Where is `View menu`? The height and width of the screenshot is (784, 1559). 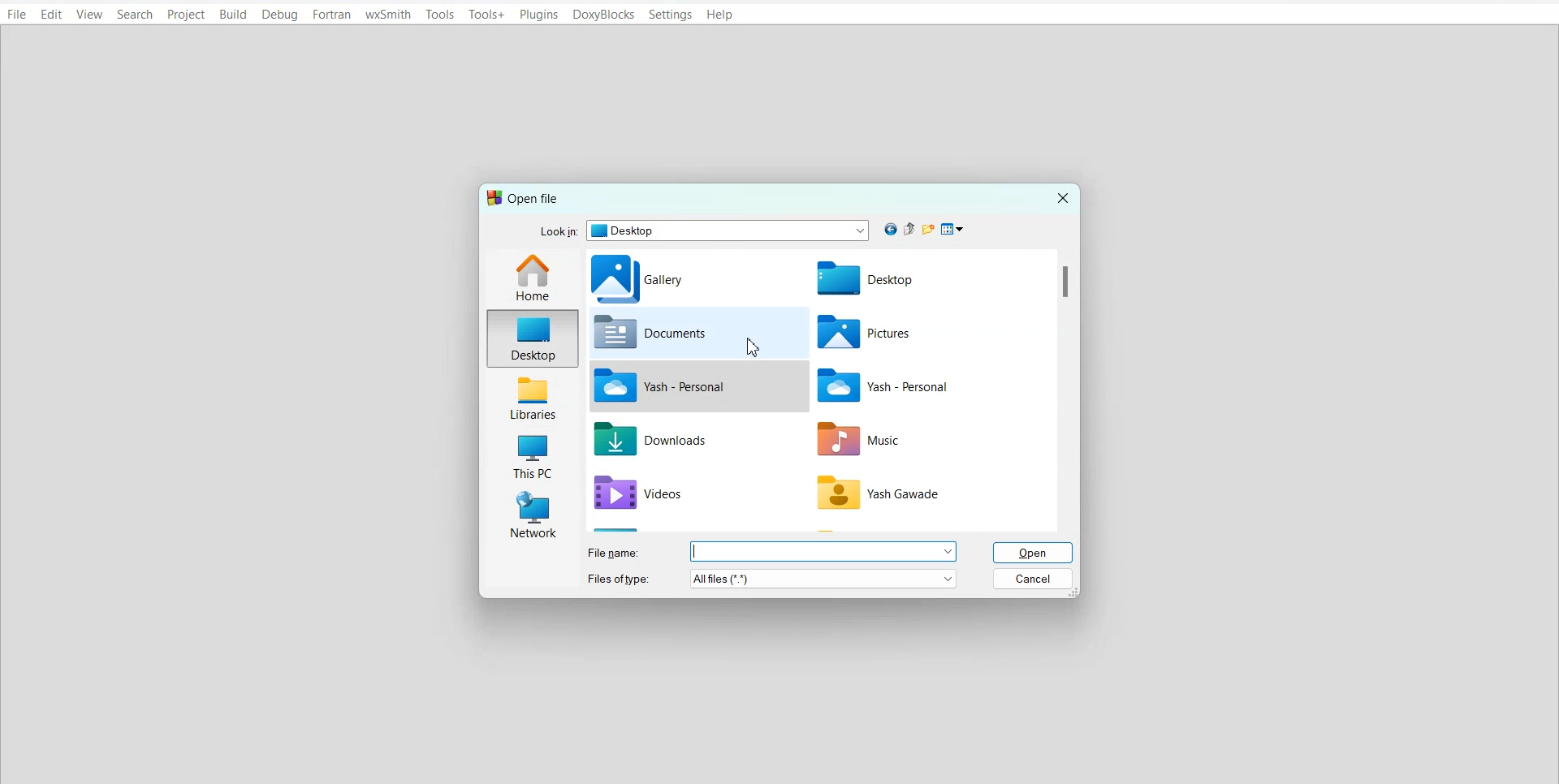
View menu is located at coordinates (952, 230).